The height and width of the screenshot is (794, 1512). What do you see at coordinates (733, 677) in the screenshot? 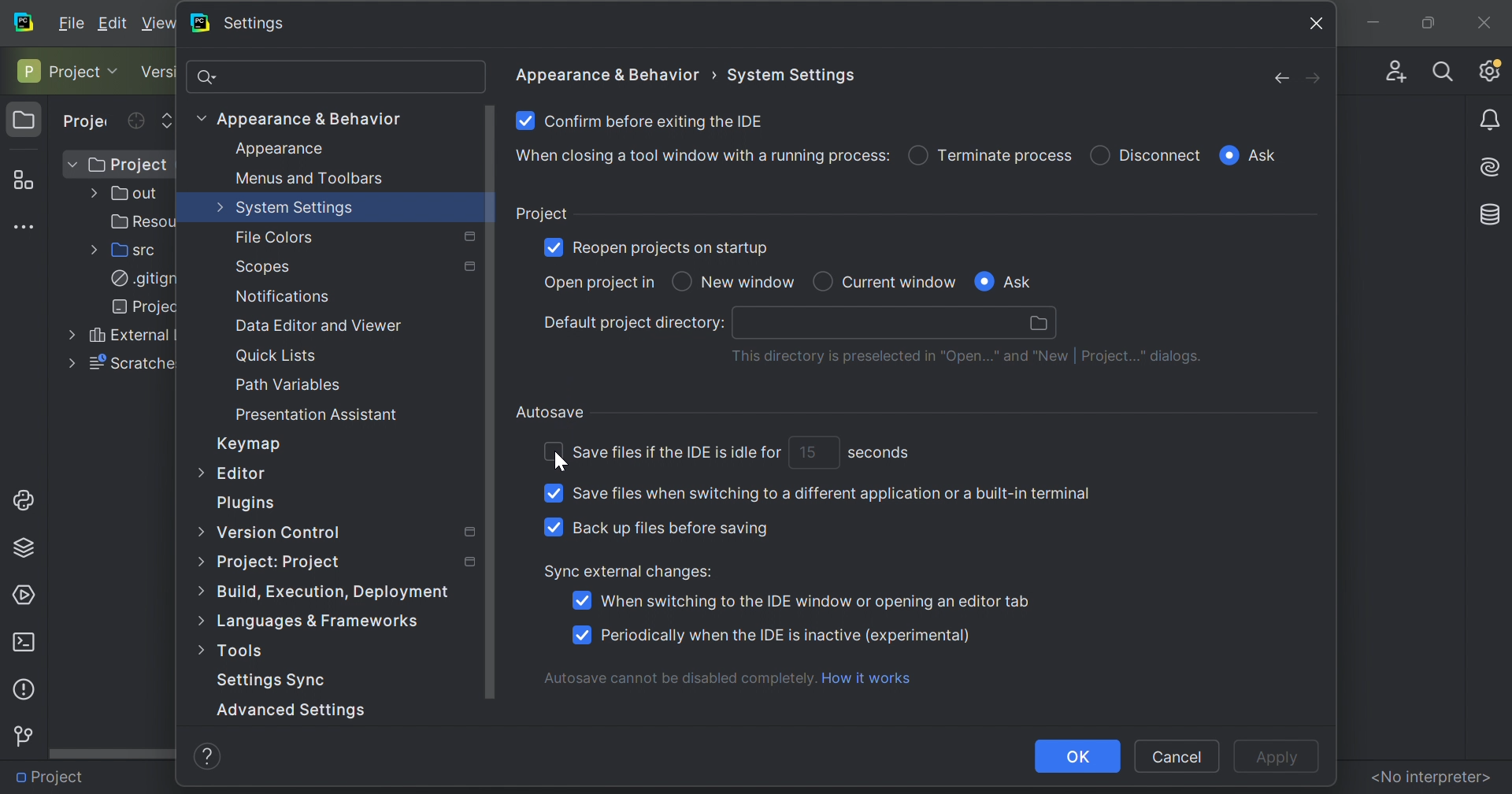
I see `Autosave cannot be disabled completely. How it works.` at bounding box center [733, 677].